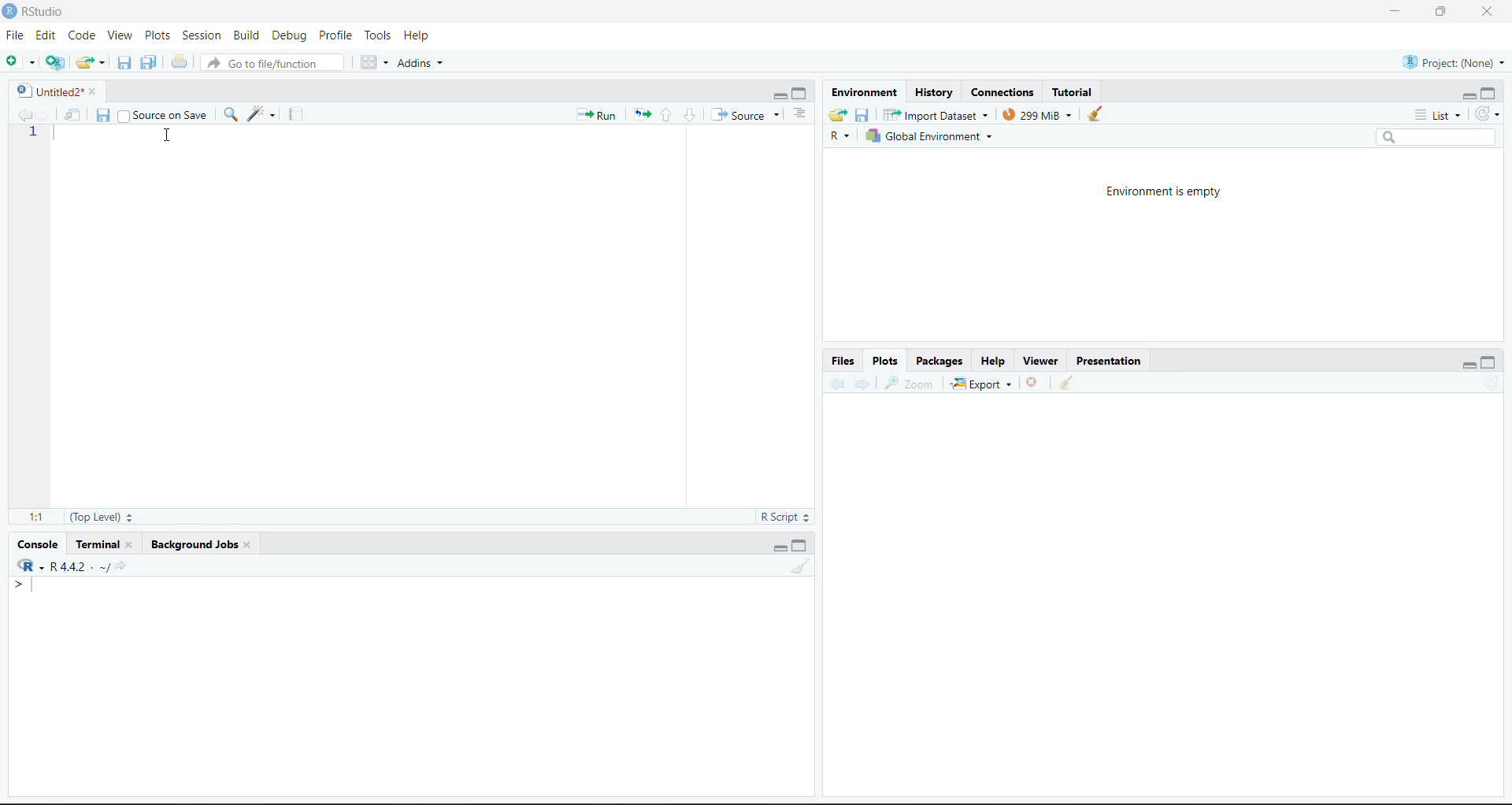 Image resolution: width=1512 pixels, height=805 pixels. What do you see at coordinates (33, 133) in the screenshot?
I see `line number` at bounding box center [33, 133].